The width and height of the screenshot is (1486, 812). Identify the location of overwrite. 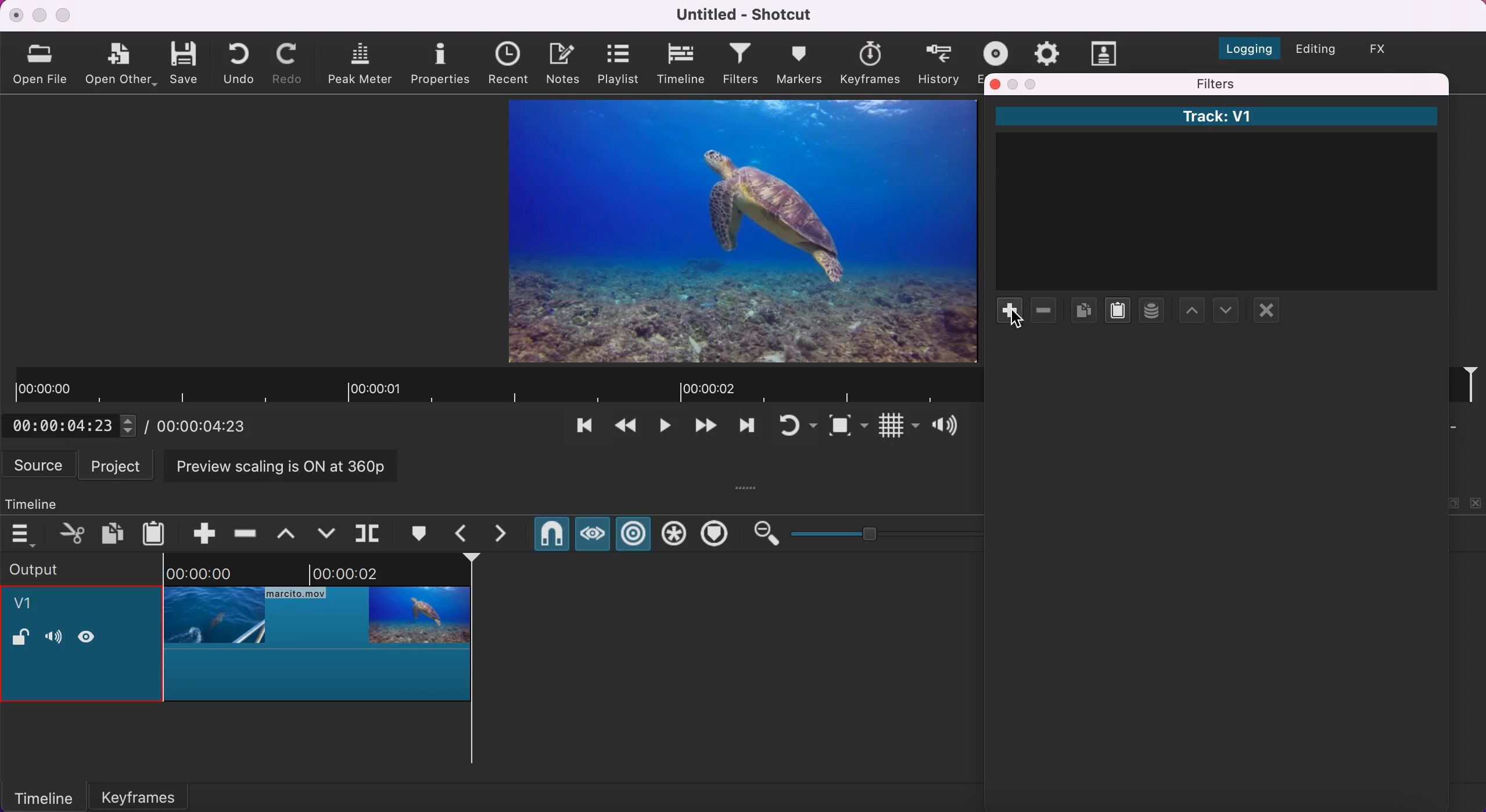
(326, 532).